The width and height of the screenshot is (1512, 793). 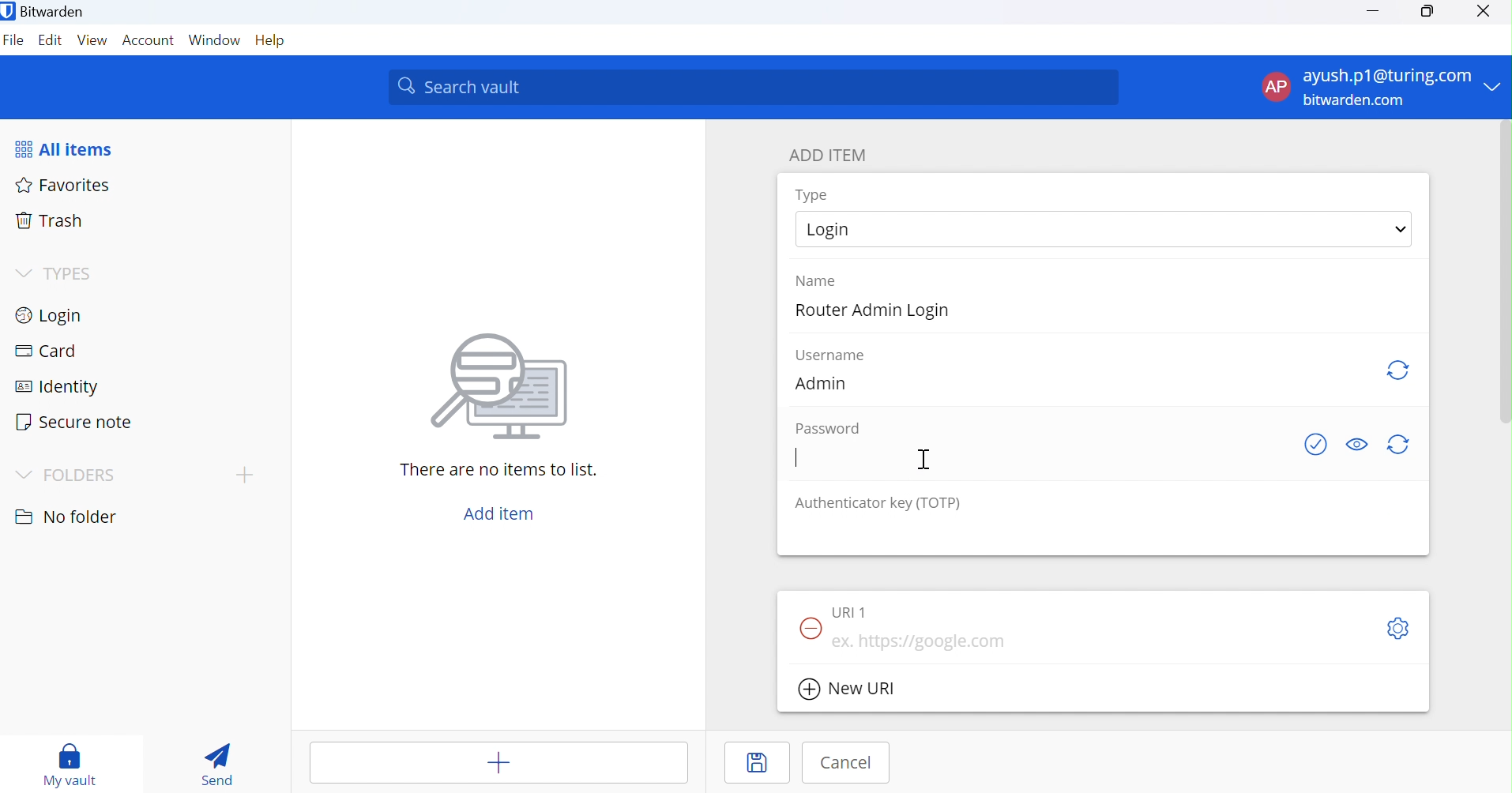 What do you see at coordinates (74, 147) in the screenshot?
I see `All items` at bounding box center [74, 147].